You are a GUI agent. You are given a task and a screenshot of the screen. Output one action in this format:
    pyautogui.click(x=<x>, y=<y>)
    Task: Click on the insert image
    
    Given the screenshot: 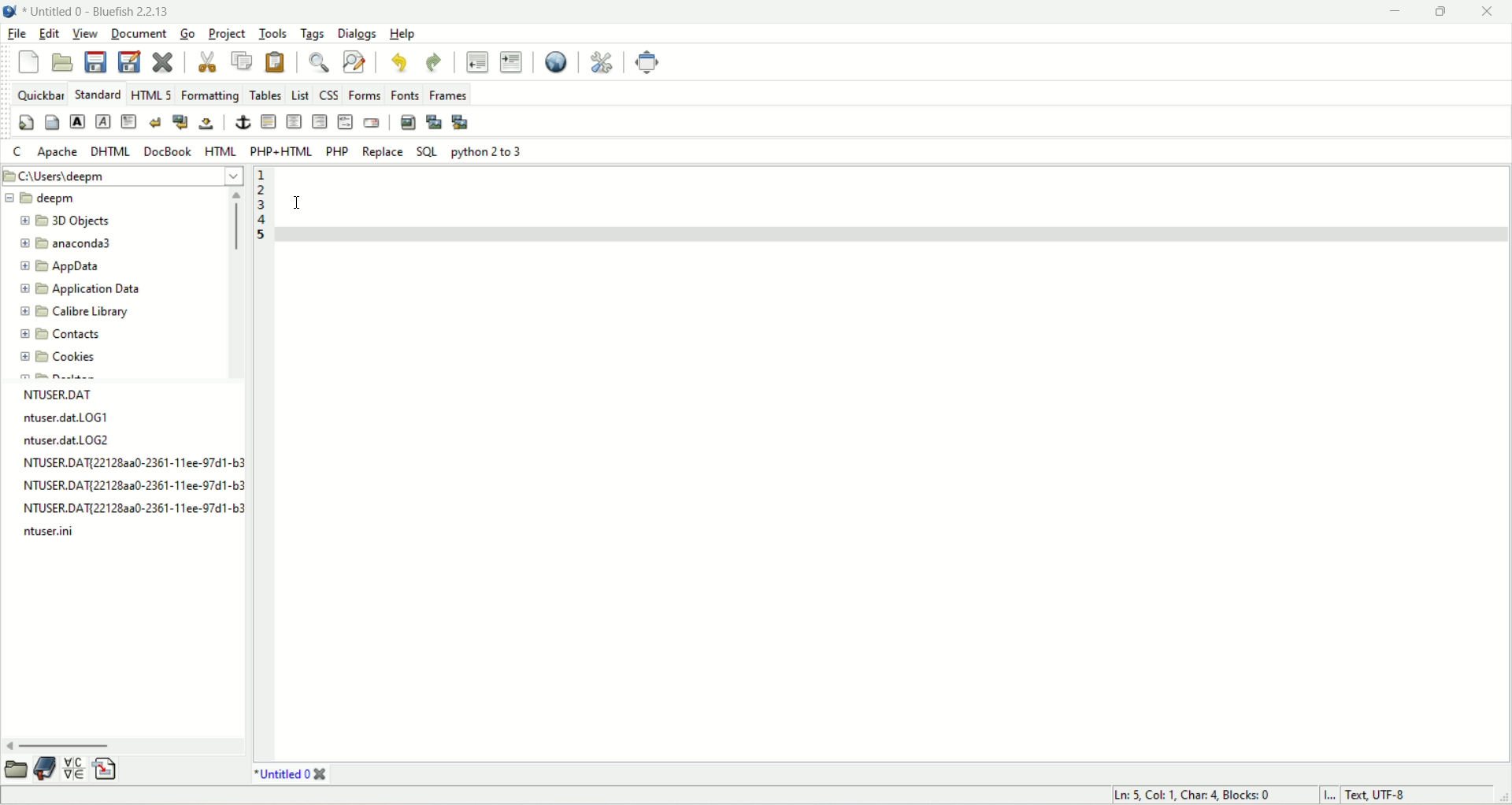 What is the action you would take?
    pyautogui.click(x=408, y=124)
    